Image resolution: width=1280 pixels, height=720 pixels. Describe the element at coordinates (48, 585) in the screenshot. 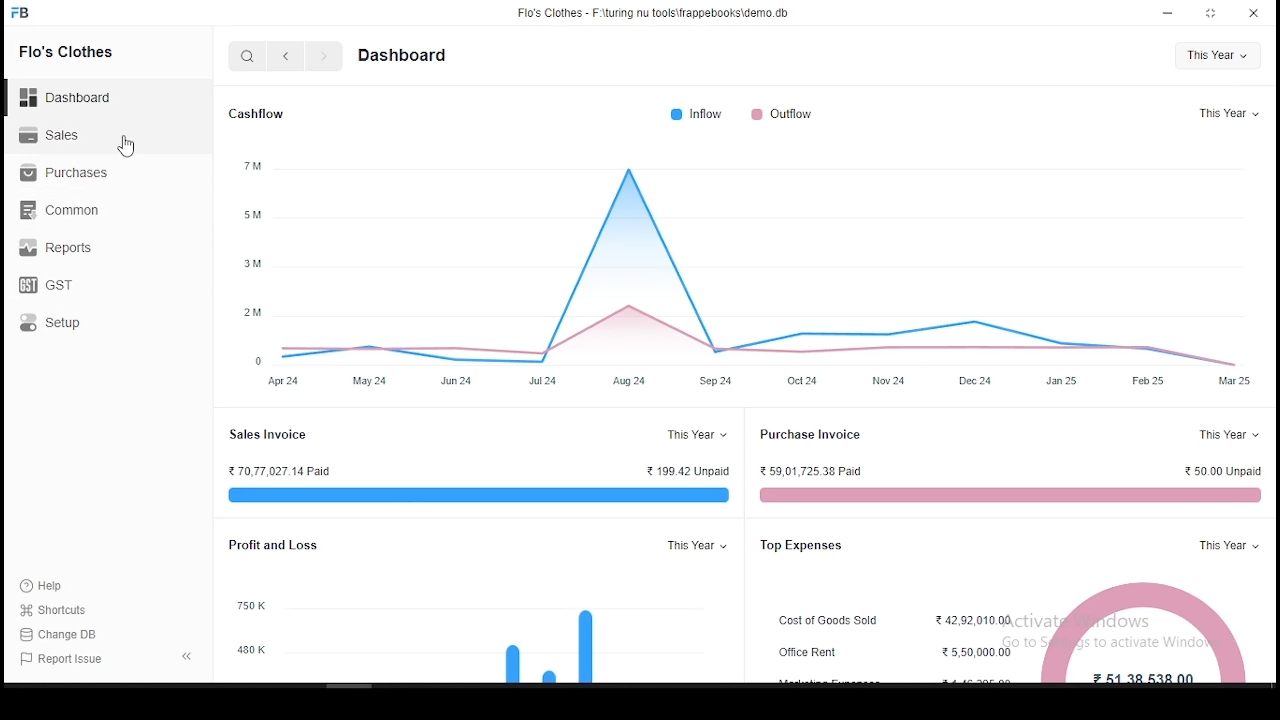

I see `help` at that location.